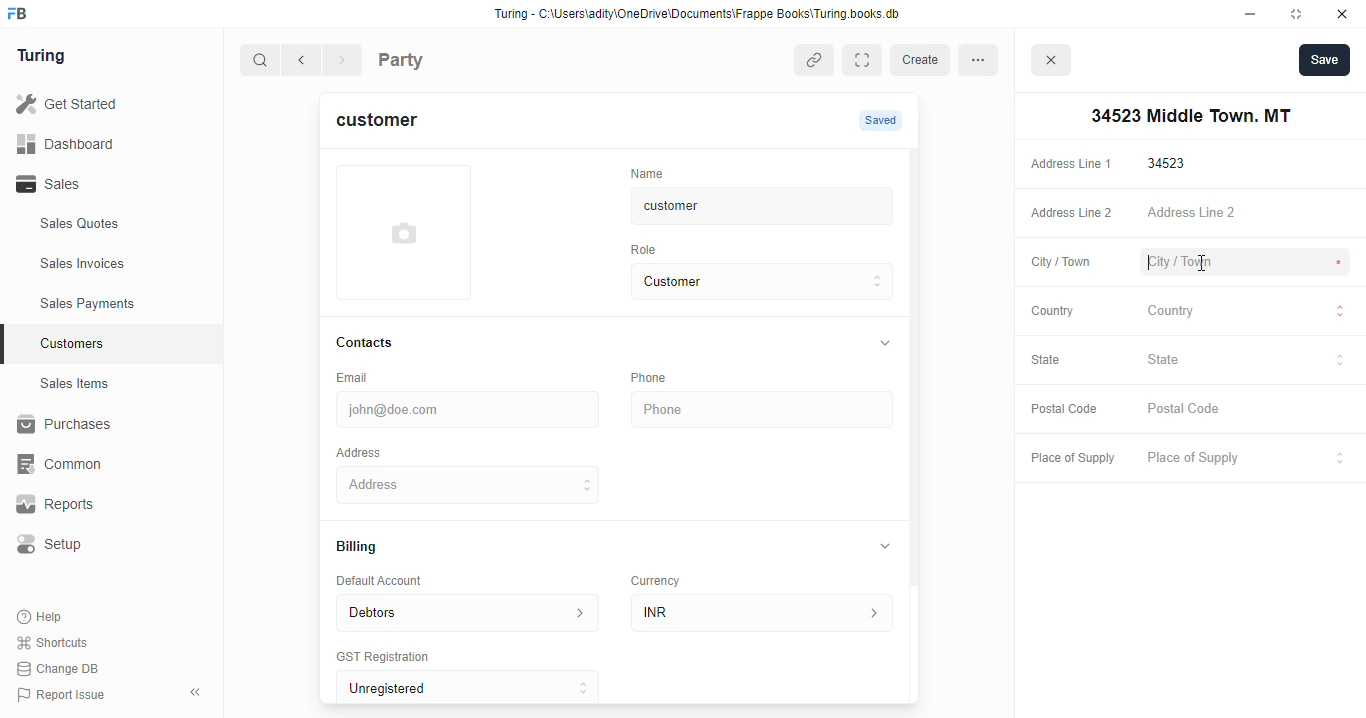 The width and height of the screenshot is (1366, 718). I want to click on Address Line 2, so click(1248, 214).